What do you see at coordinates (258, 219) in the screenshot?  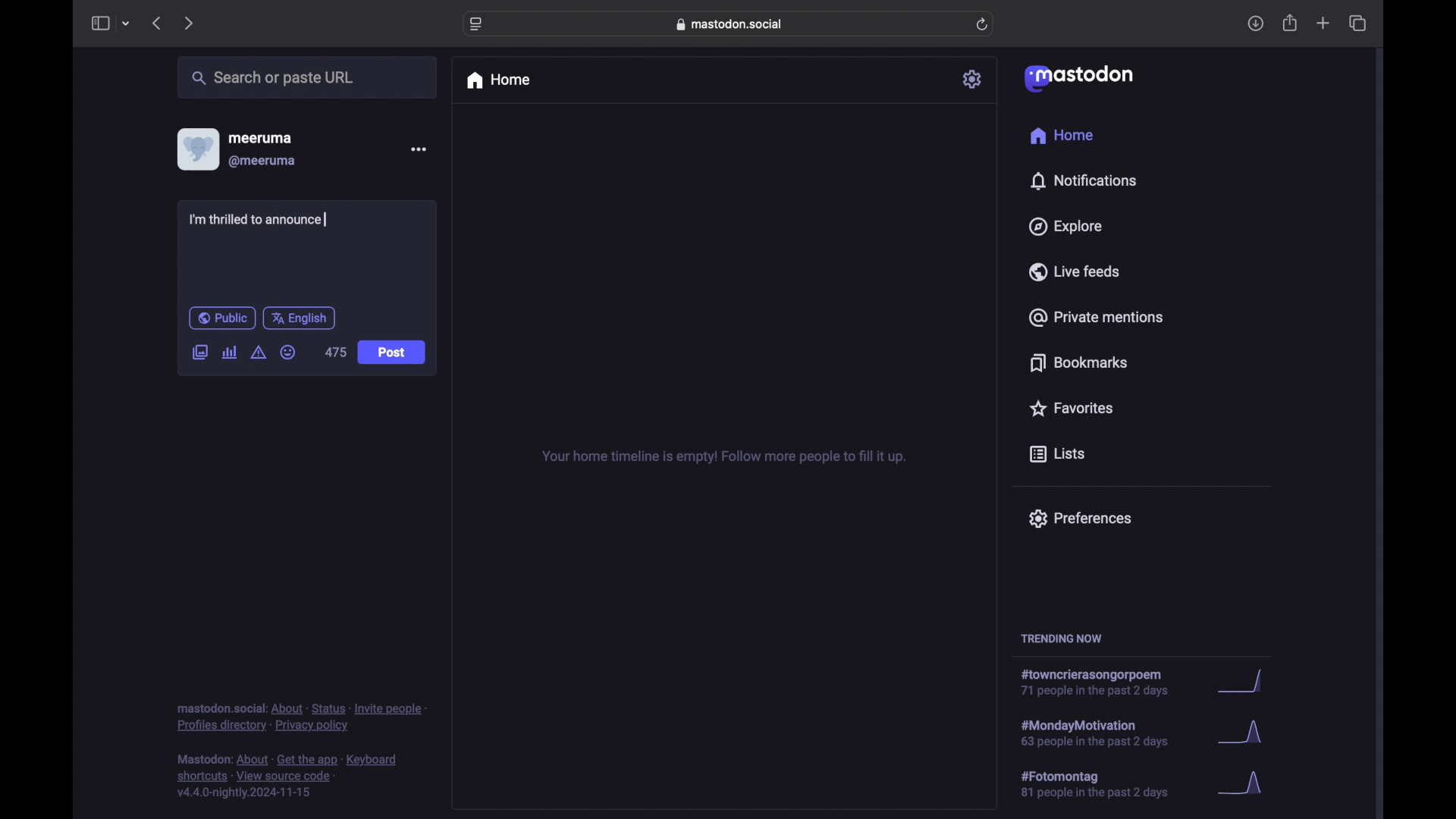 I see `I'm thrilled to announce` at bounding box center [258, 219].